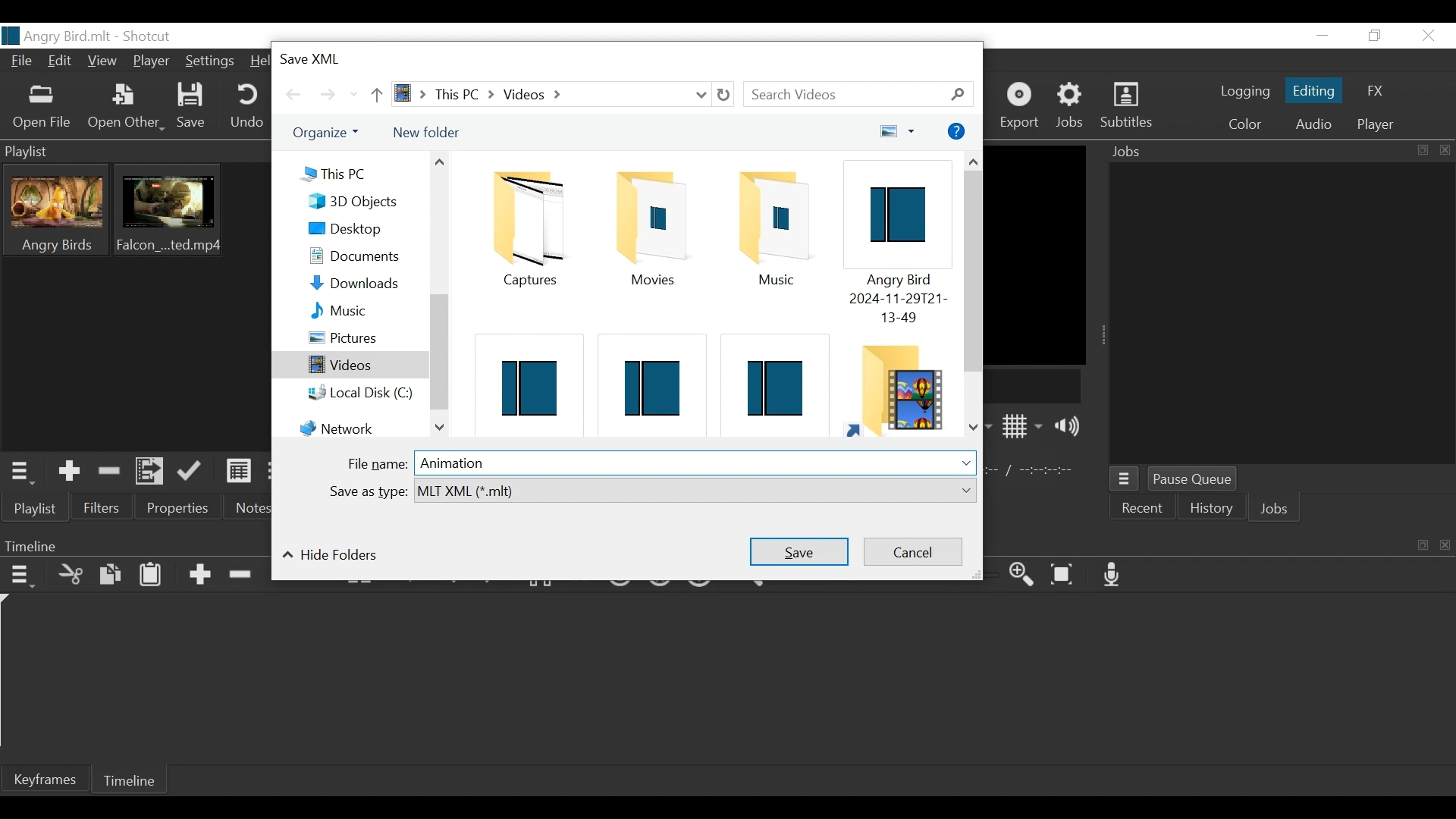  Describe the element at coordinates (425, 131) in the screenshot. I see `New Folder` at that location.